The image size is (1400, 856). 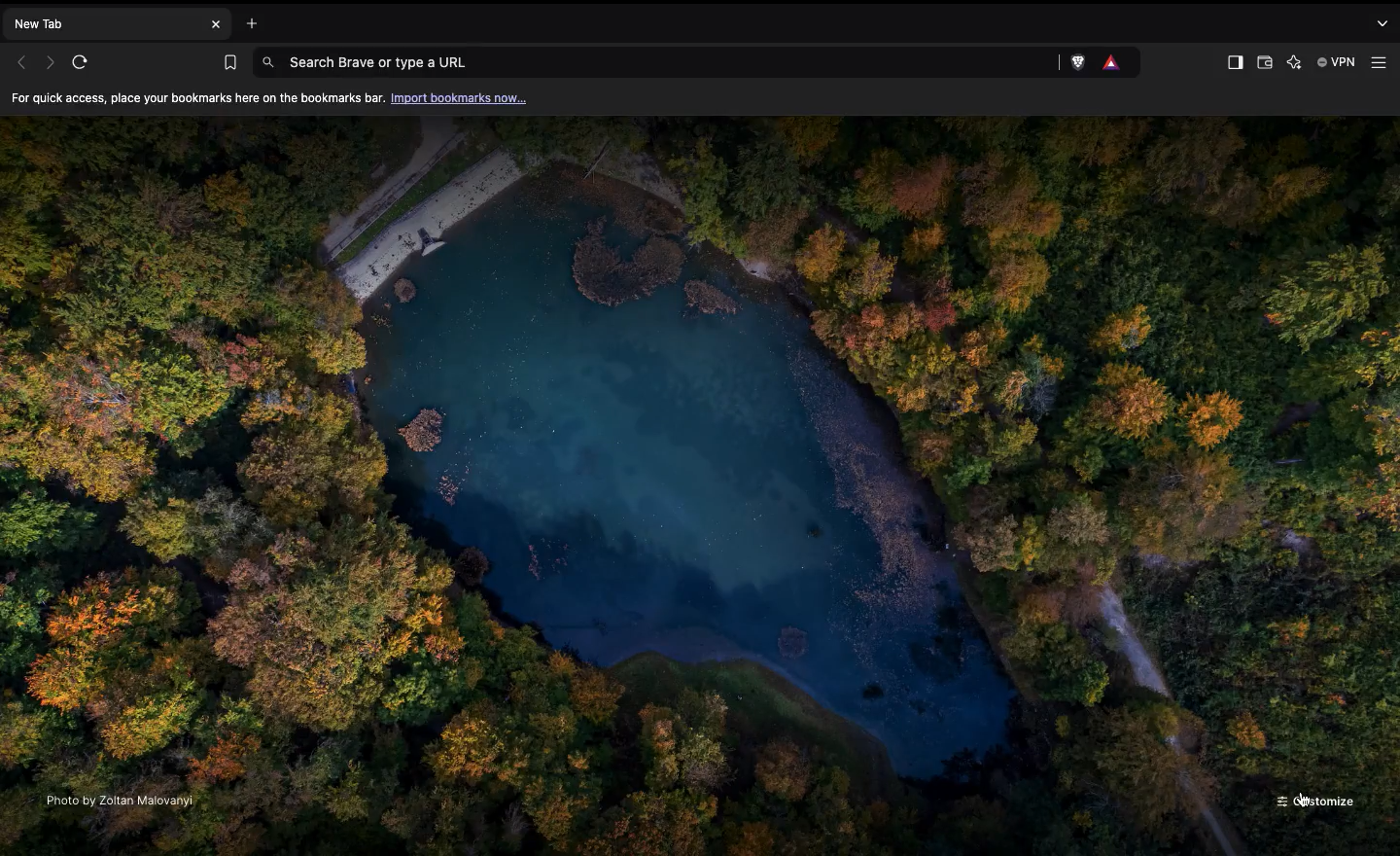 What do you see at coordinates (1263, 65) in the screenshot?
I see `Wallet` at bounding box center [1263, 65].